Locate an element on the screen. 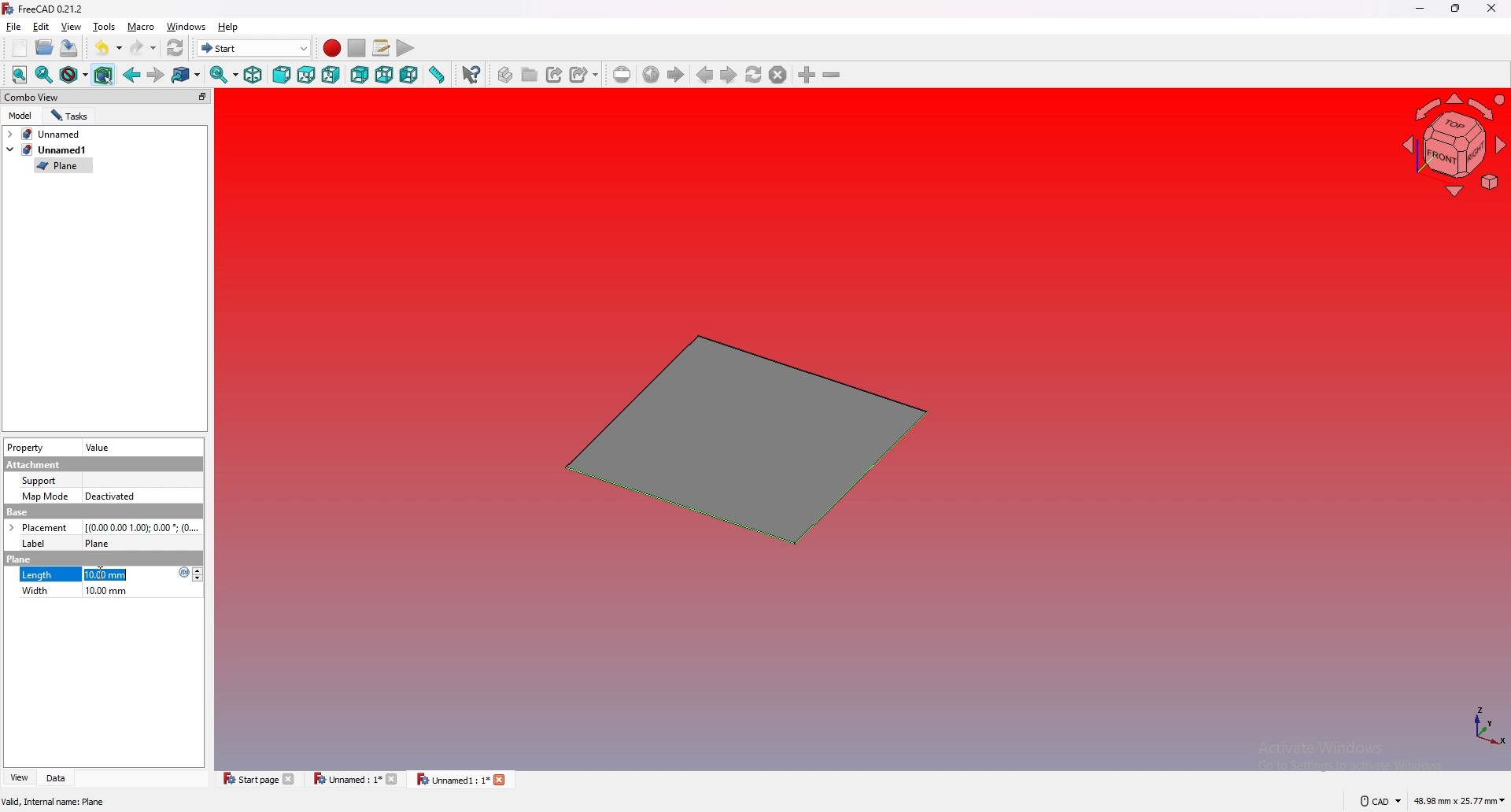 This screenshot has width=1511, height=812. plane is located at coordinates (63, 166).